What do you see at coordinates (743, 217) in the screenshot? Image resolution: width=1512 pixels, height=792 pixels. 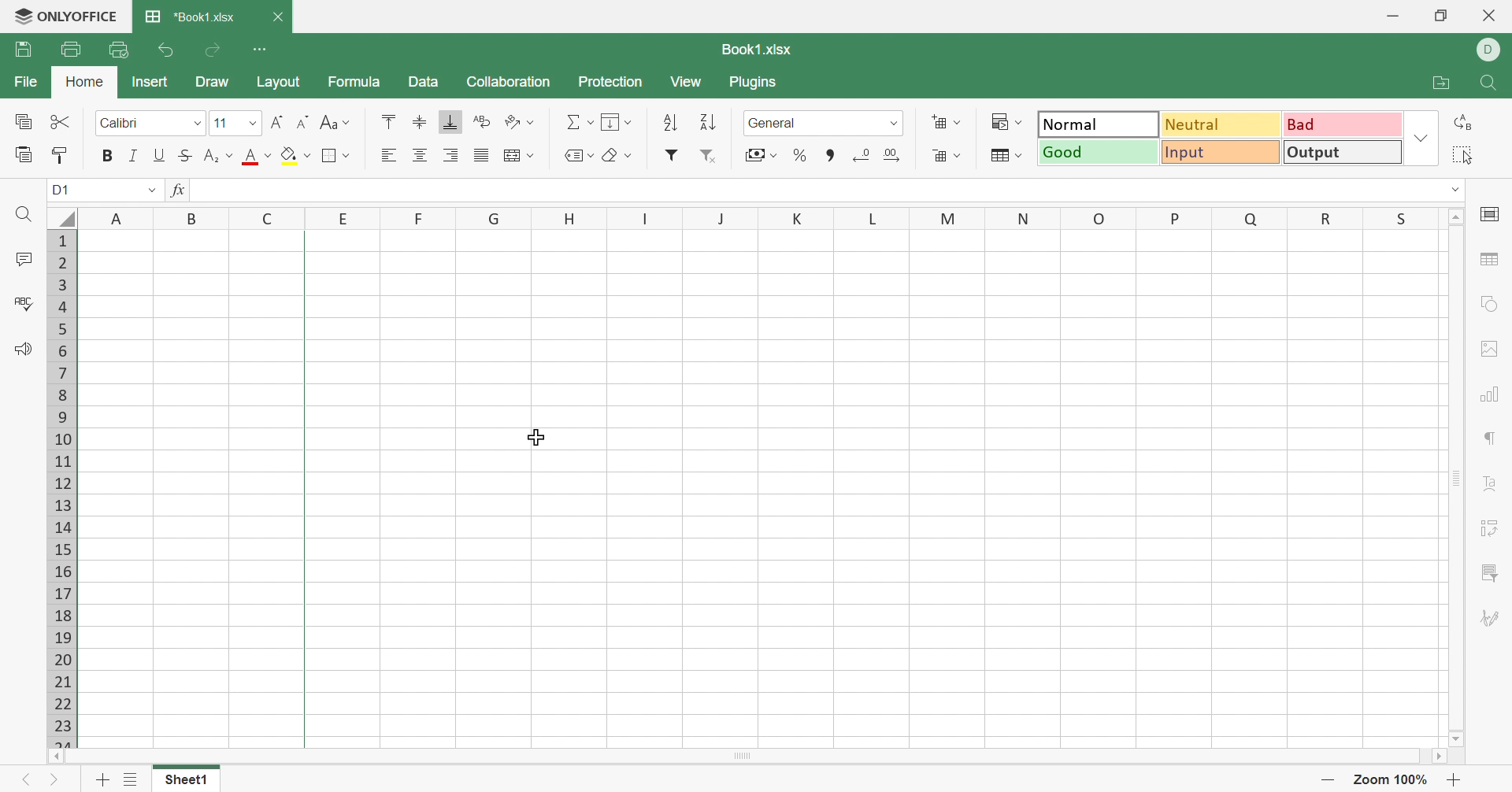 I see `Column Names` at bounding box center [743, 217].